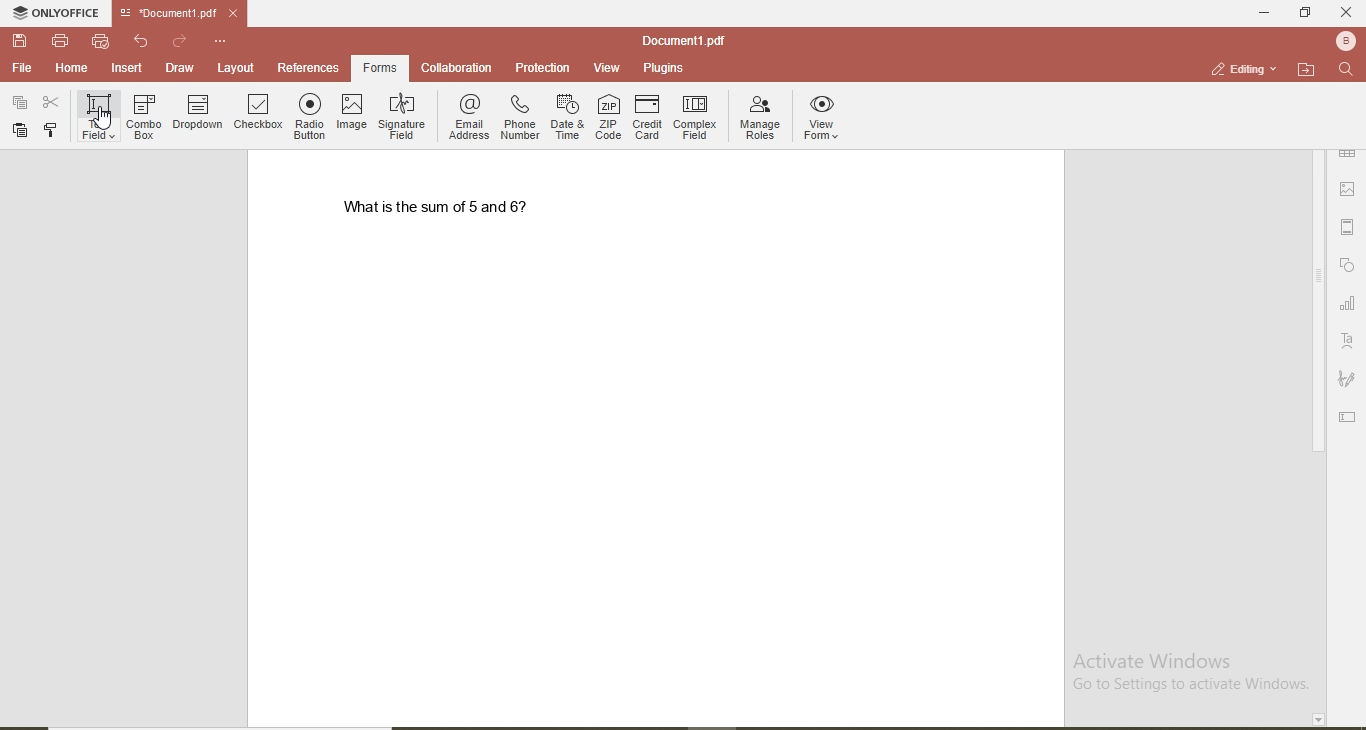 This screenshot has width=1366, height=730. I want to click on shapes, so click(1350, 265).